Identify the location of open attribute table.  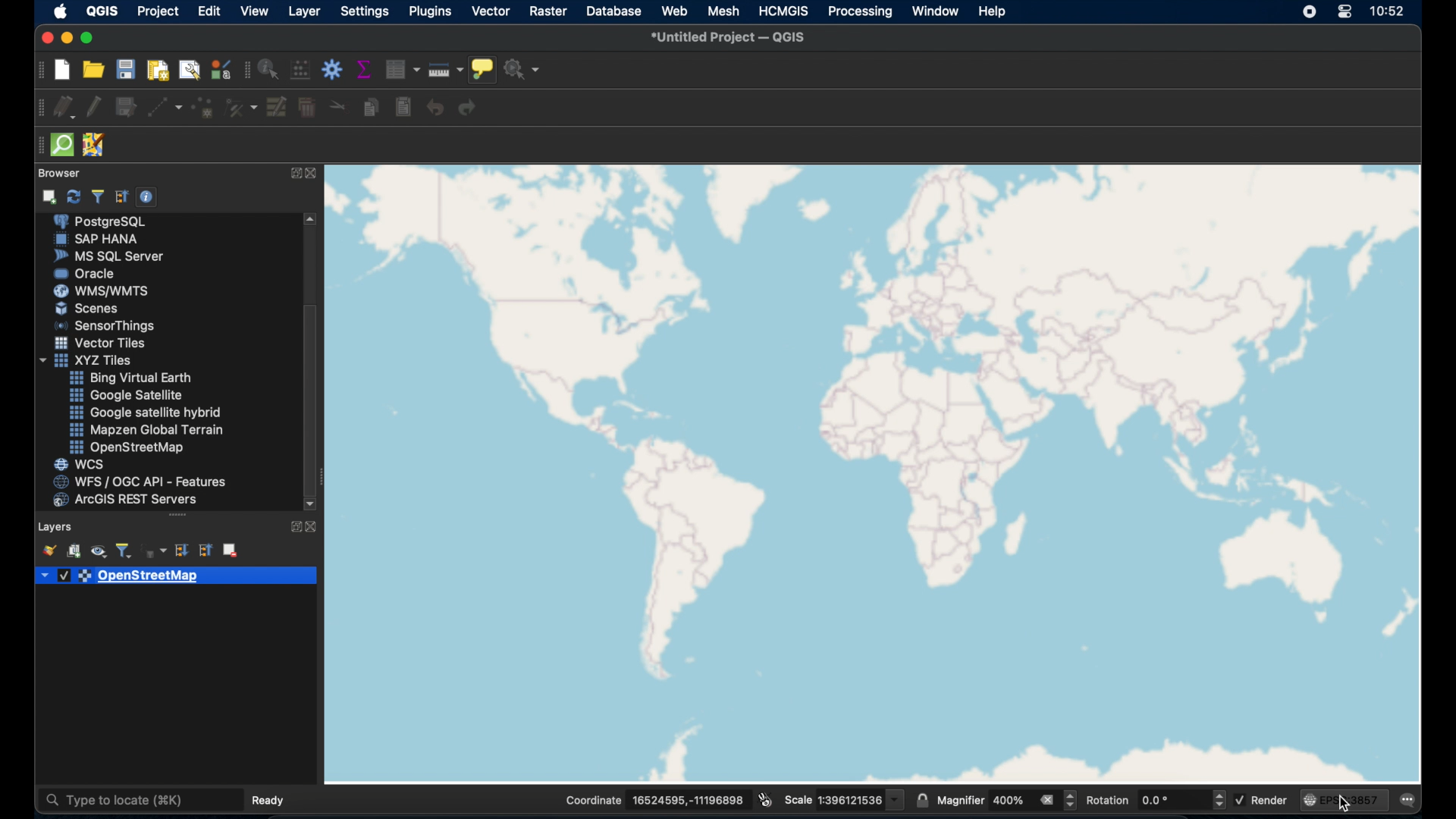
(403, 69).